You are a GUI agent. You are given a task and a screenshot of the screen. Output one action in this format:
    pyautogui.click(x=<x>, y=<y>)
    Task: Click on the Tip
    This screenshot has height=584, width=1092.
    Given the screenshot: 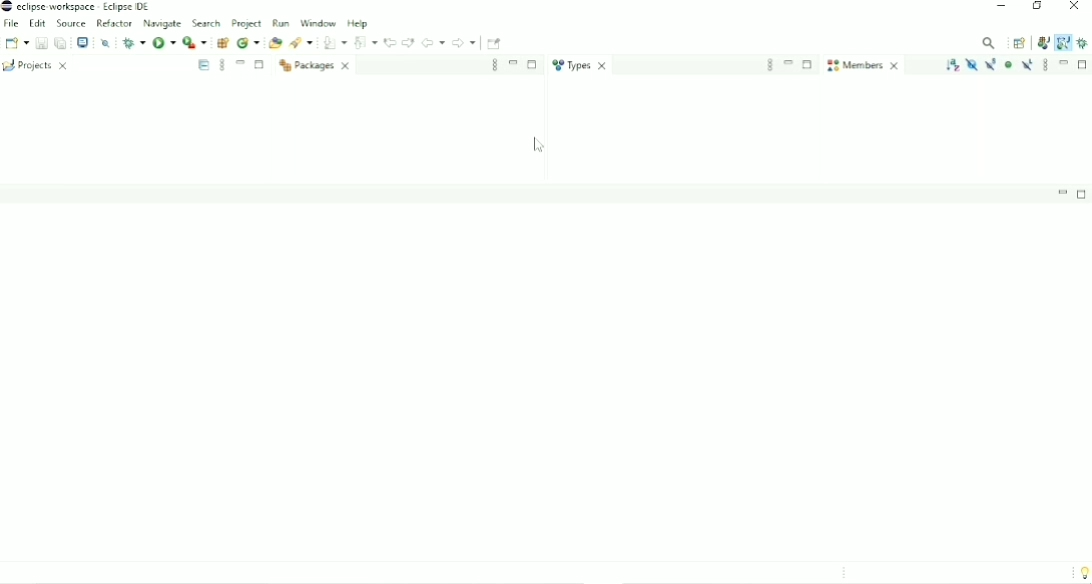 What is the action you would take?
    pyautogui.click(x=1081, y=572)
    